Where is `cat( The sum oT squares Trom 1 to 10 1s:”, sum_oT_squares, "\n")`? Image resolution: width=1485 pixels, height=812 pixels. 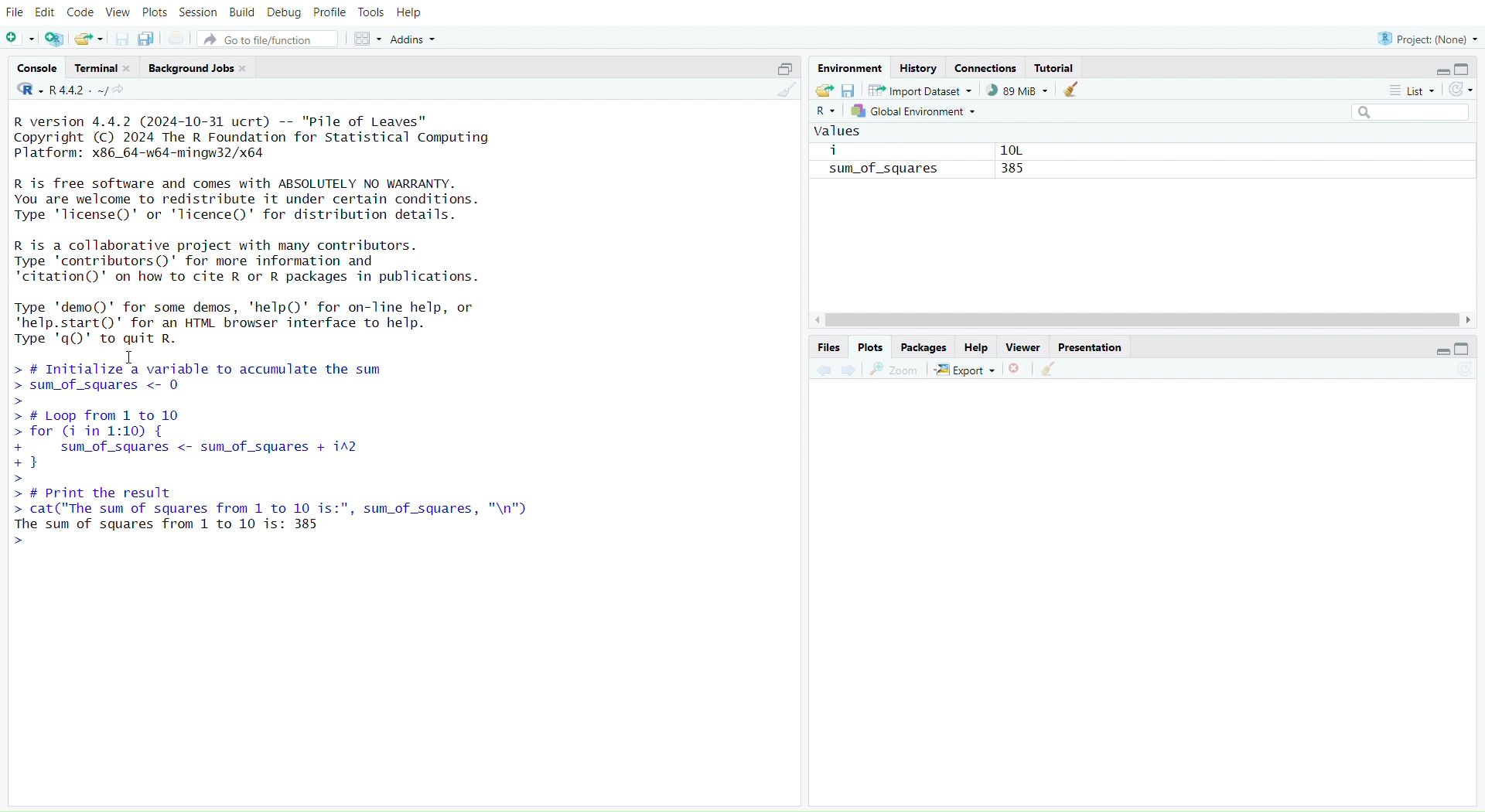 cat( The sum oT squares Trom 1 to 10 1s:”, sum_oT_squares, "\n") is located at coordinates (281, 509).